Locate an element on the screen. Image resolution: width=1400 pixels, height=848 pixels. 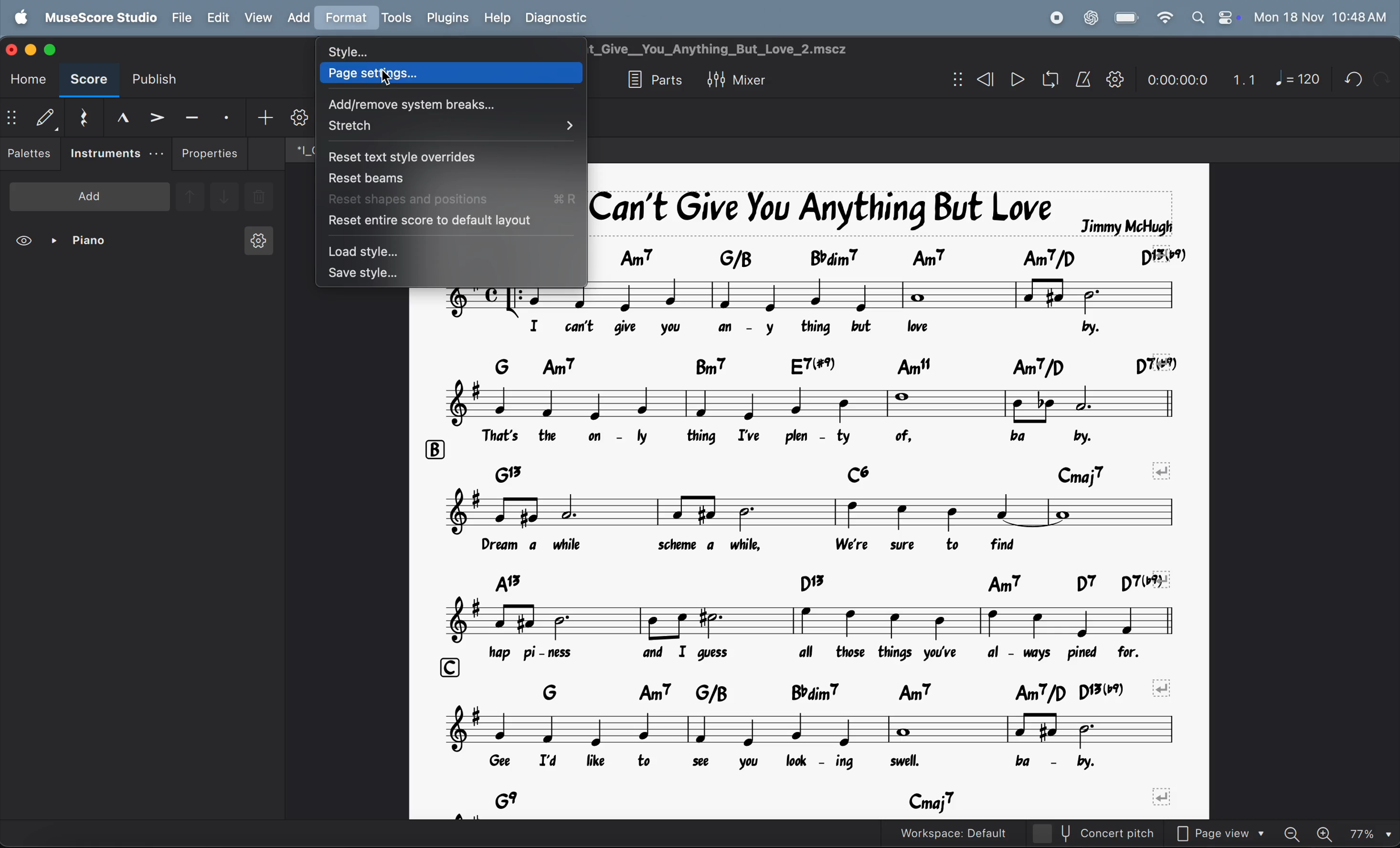
chatgpt is located at coordinates (1090, 16).